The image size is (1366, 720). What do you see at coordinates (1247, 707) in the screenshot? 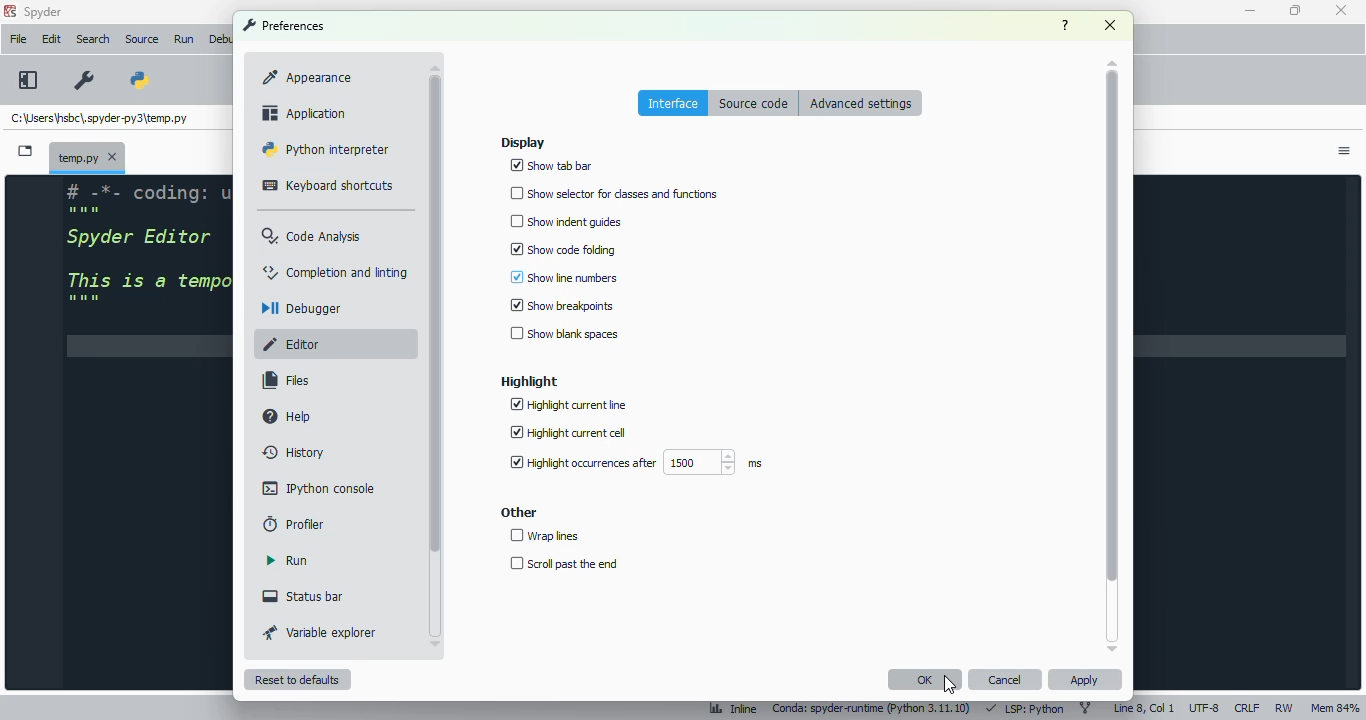
I see `CRLF` at bounding box center [1247, 707].